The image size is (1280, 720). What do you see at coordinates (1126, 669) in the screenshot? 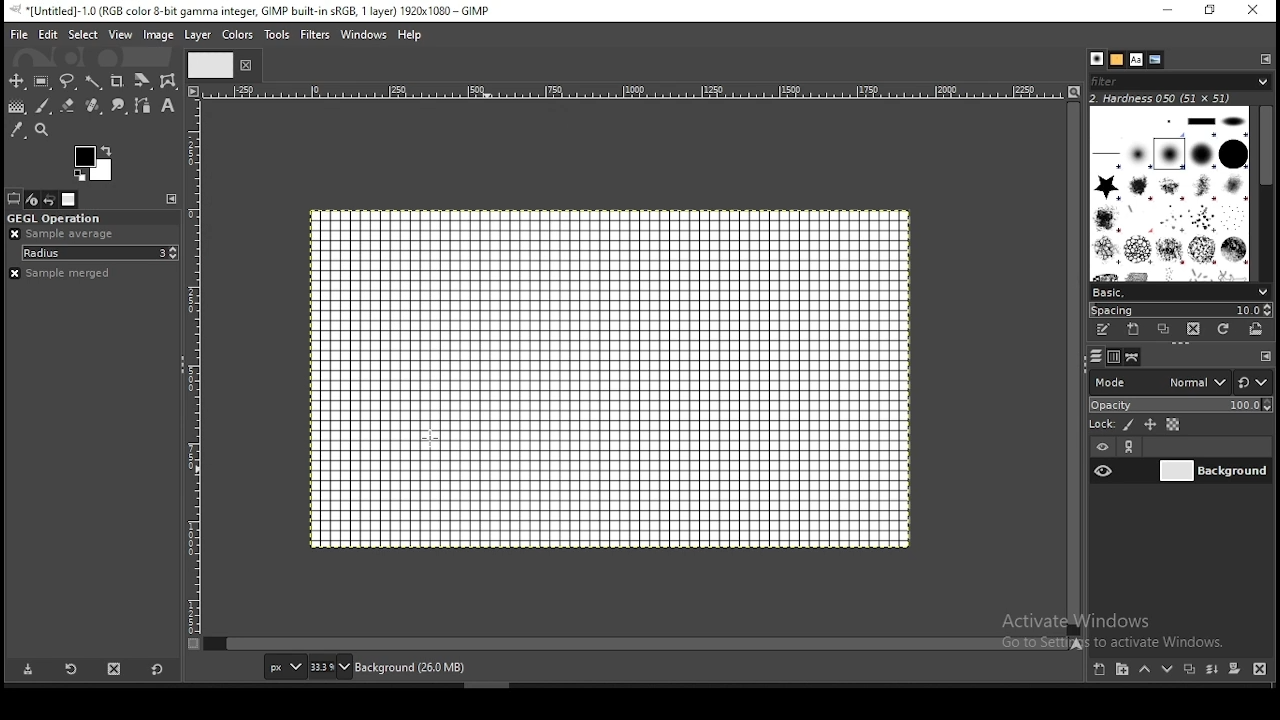
I see `new layer group` at bounding box center [1126, 669].